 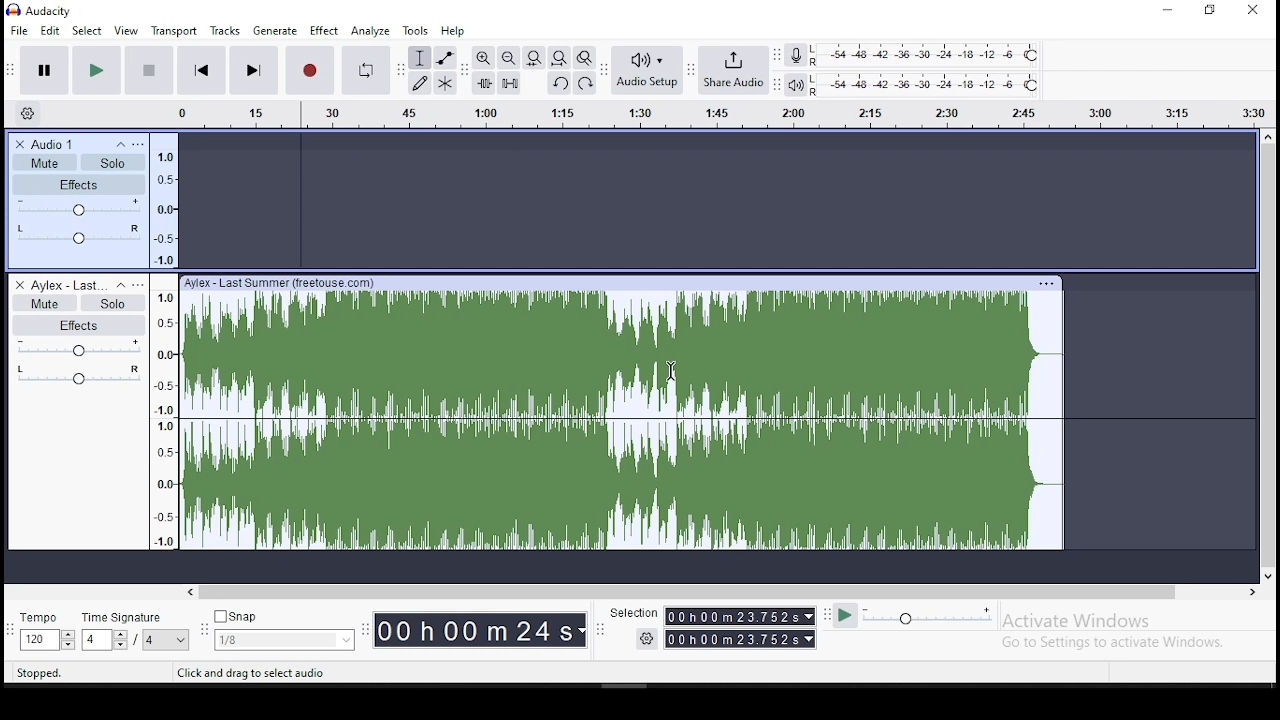 What do you see at coordinates (794, 84) in the screenshot?
I see `playback meter` at bounding box center [794, 84].